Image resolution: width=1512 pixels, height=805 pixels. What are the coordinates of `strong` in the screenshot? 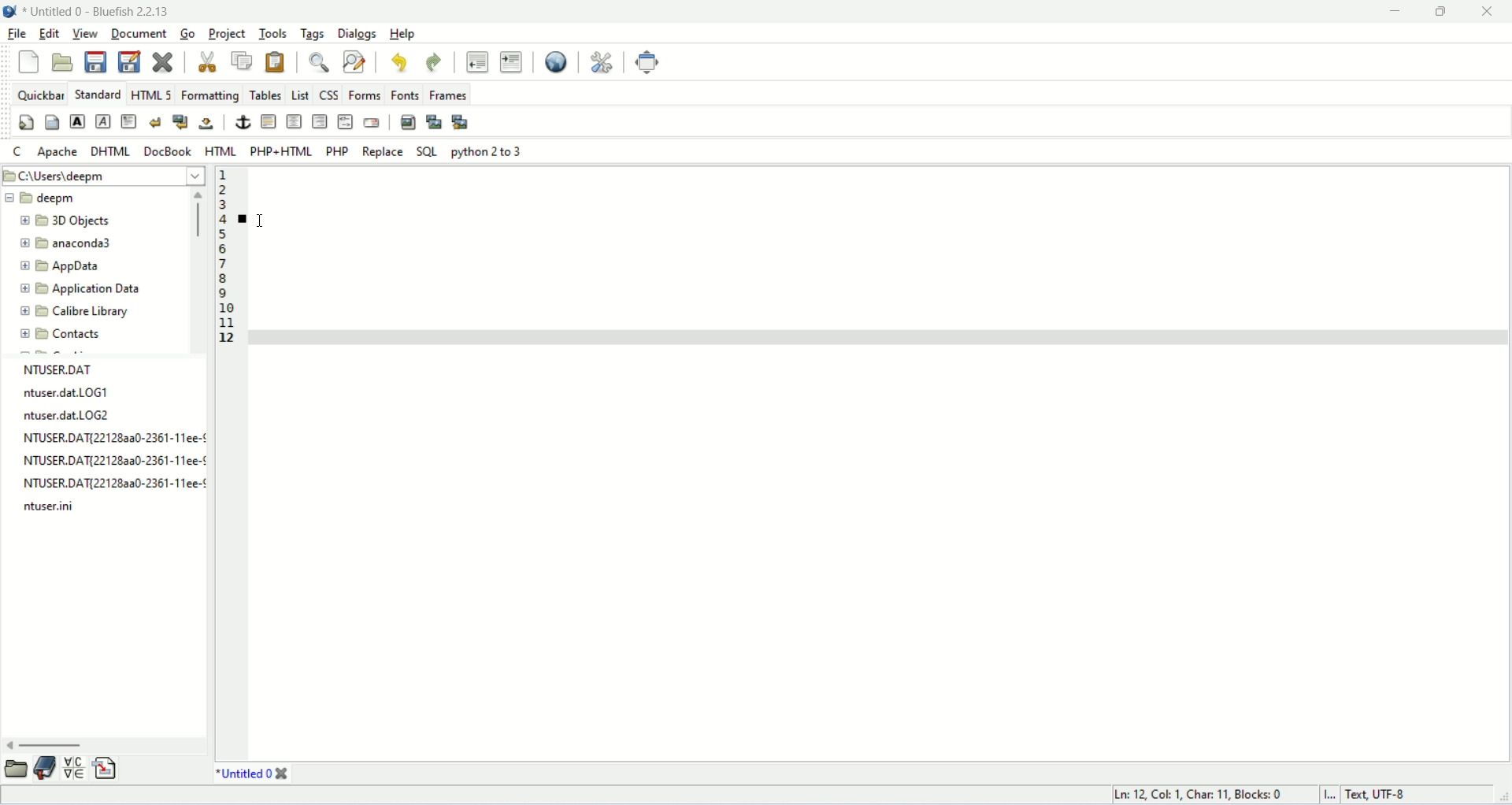 It's located at (77, 121).